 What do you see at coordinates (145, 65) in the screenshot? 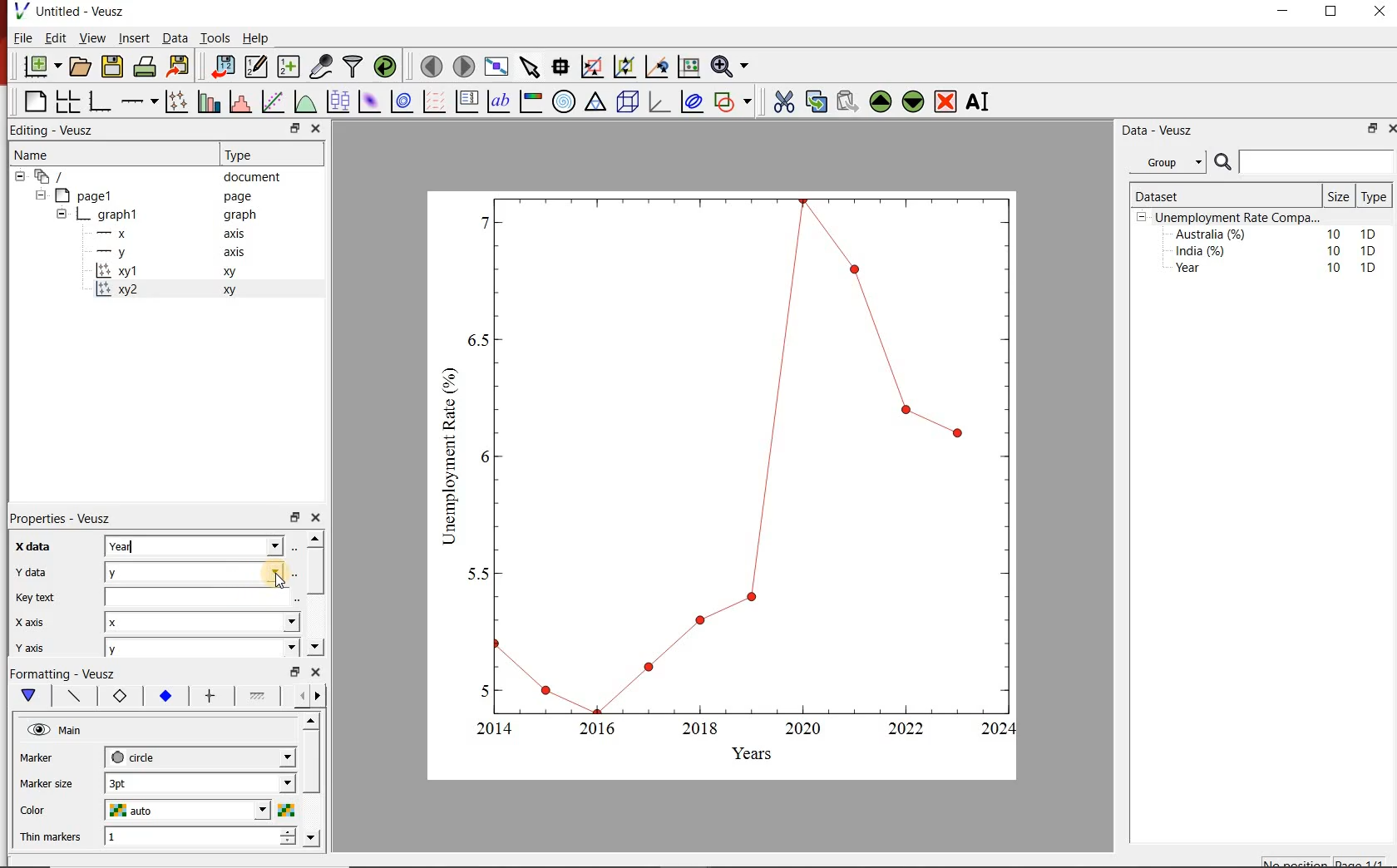
I see `print document` at bounding box center [145, 65].